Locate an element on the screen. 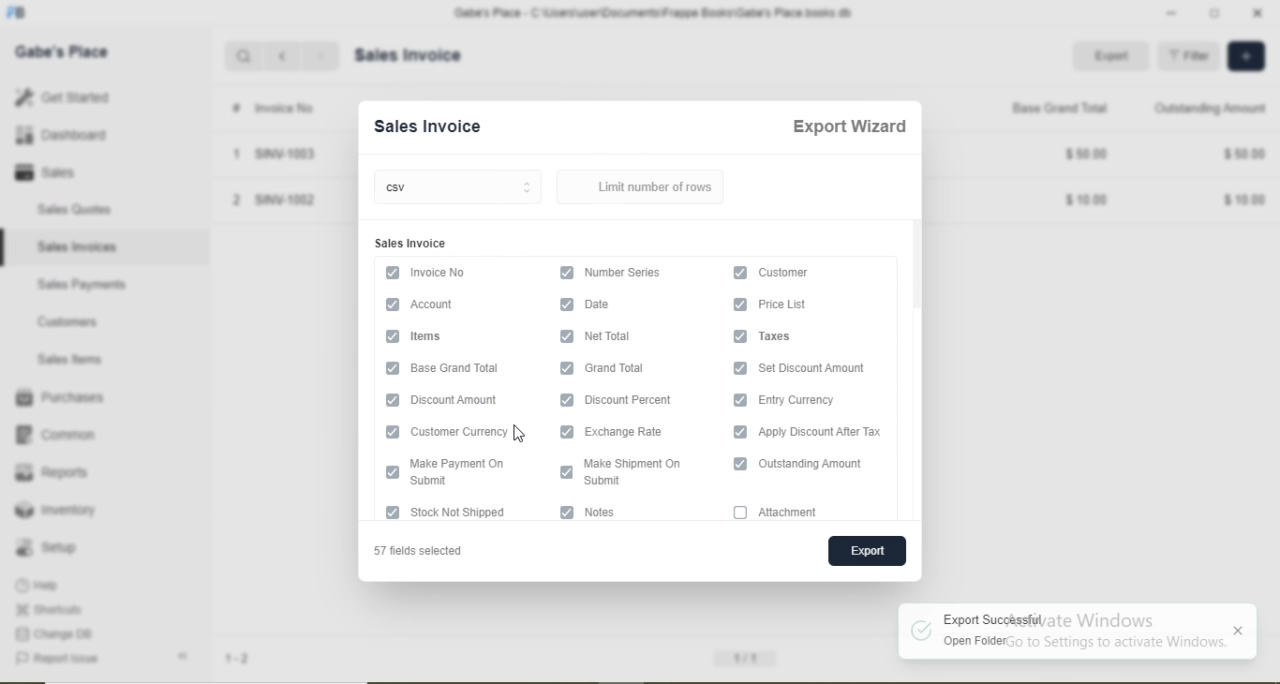 The width and height of the screenshot is (1280, 684). checkbox is located at coordinates (565, 430).